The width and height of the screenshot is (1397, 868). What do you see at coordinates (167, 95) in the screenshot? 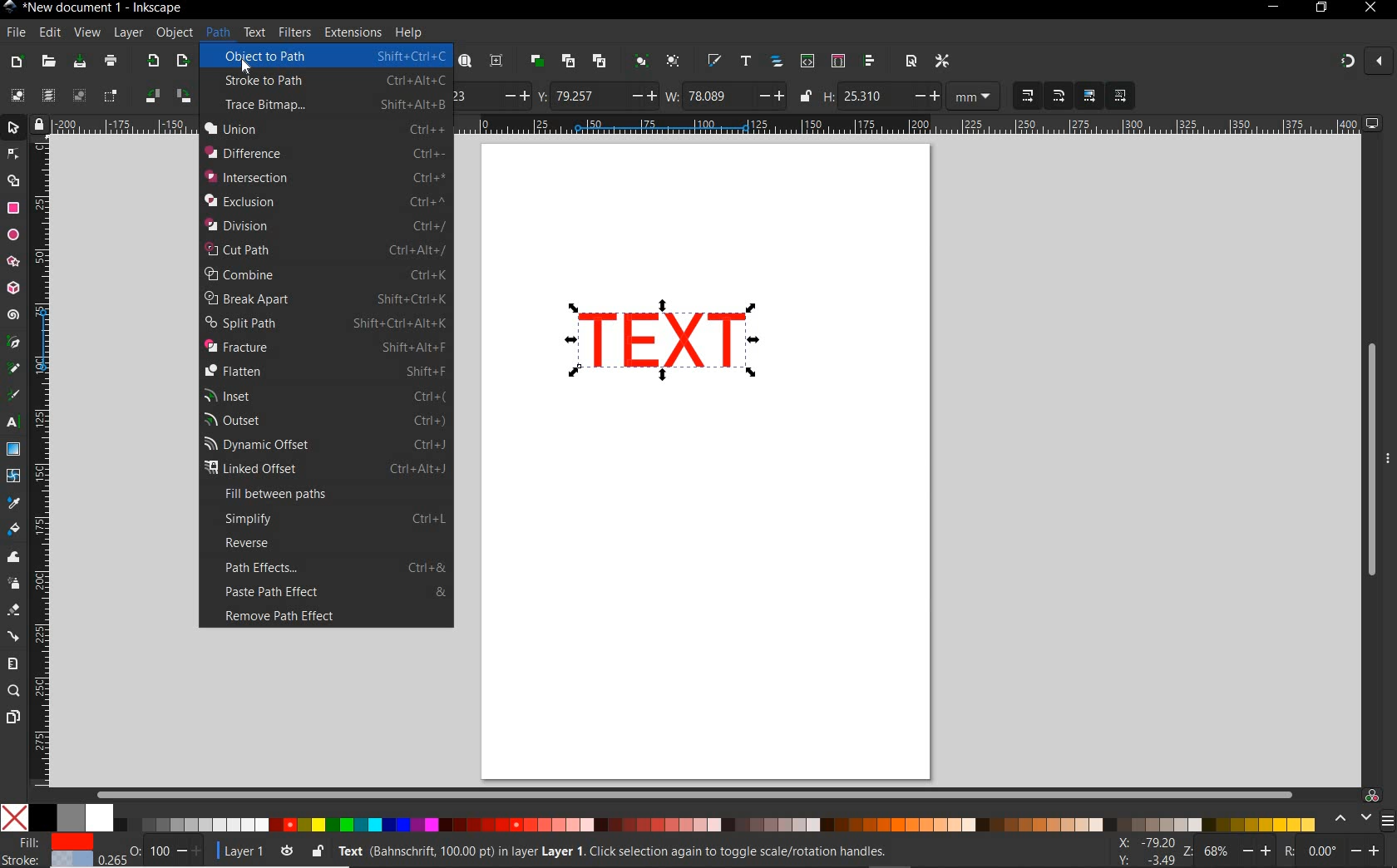
I see `OBJECT ROTATE` at bounding box center [167, 95].